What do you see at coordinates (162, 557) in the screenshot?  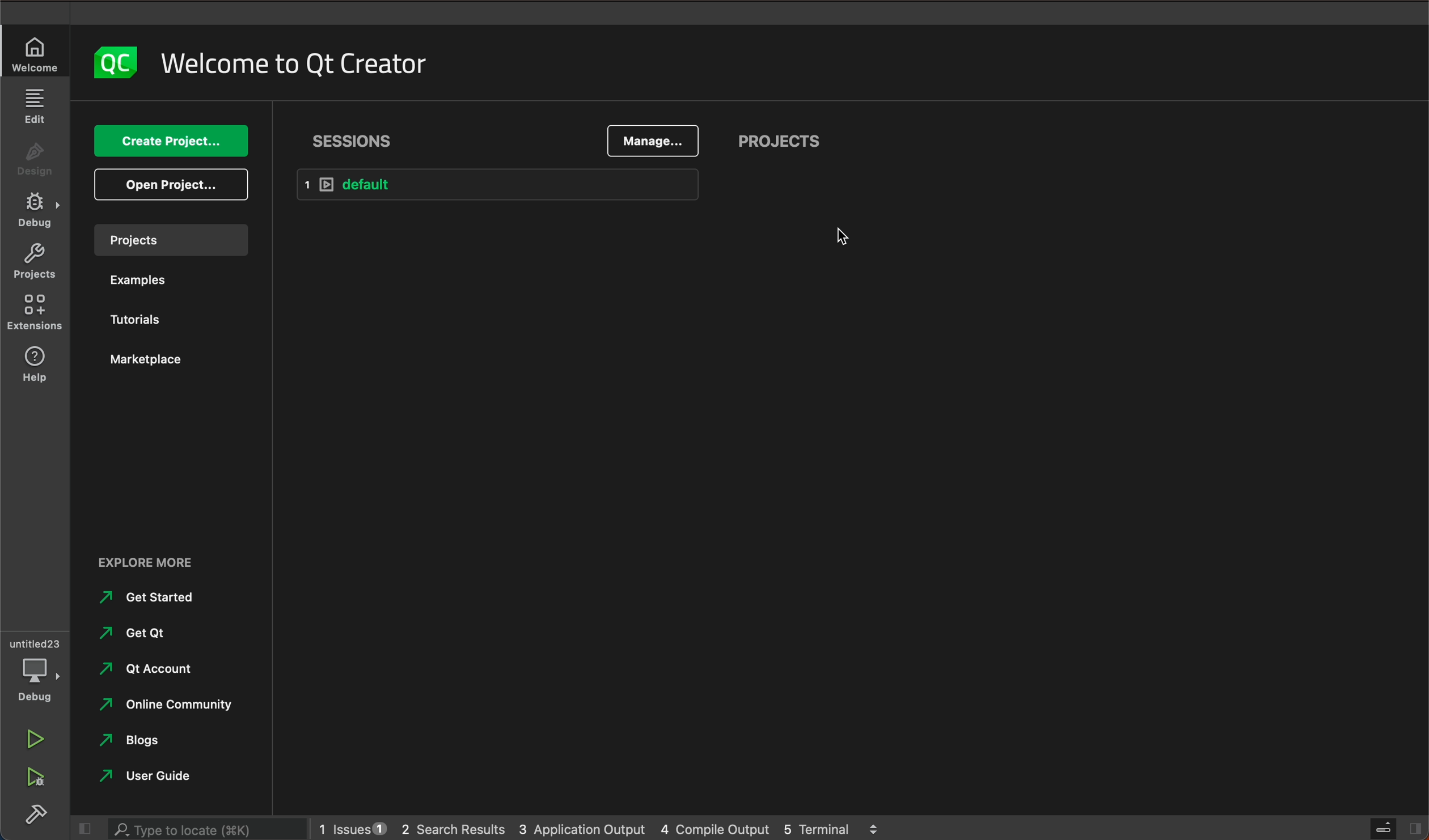 I see `explore more` at bounding box center [162, 557].